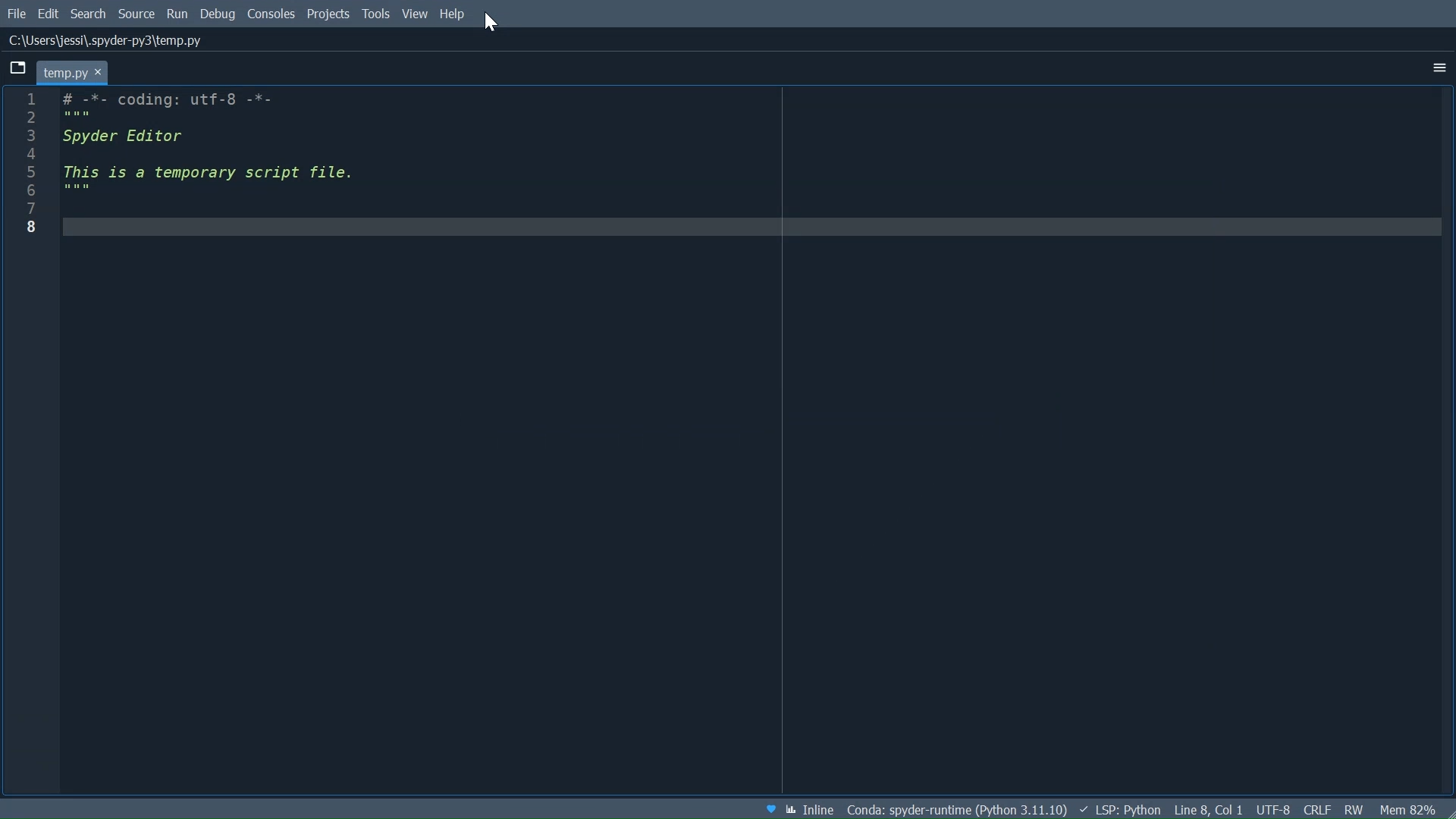  I want to click on Projects, so click(328, 14).